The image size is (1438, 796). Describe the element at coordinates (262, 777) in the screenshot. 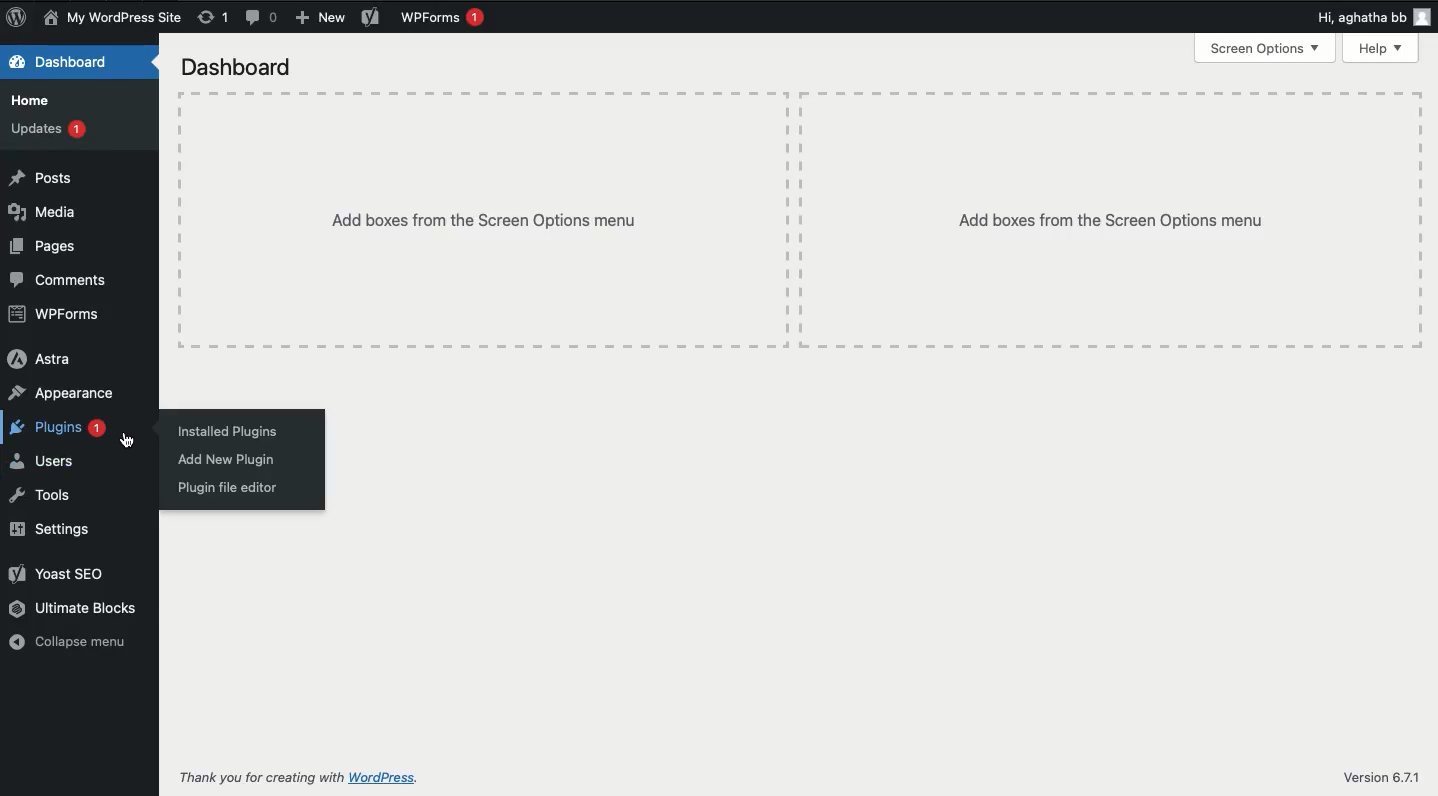

I see `Thank you for creating with WordPress` at that location.